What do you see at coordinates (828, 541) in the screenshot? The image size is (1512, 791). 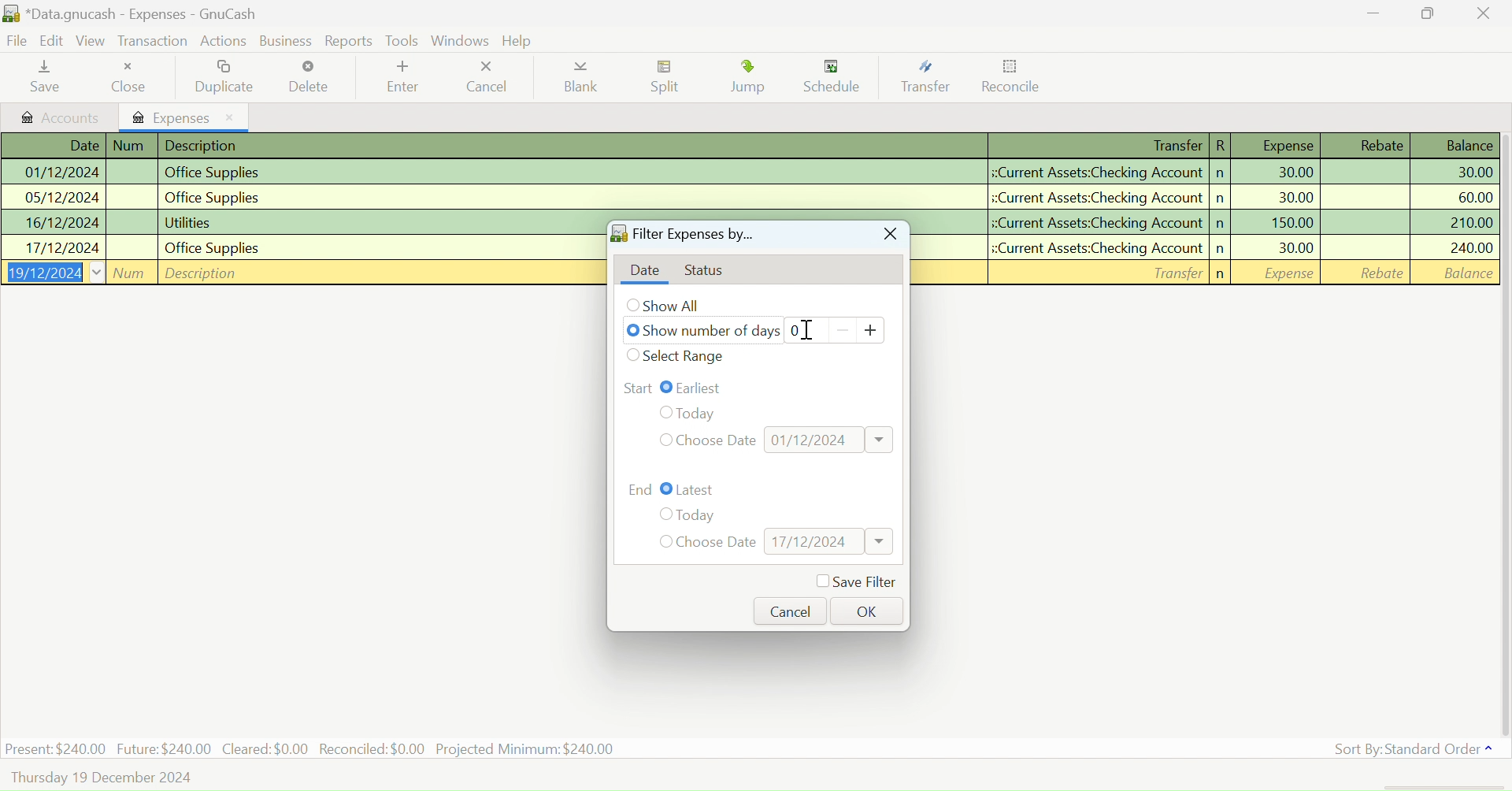 I see `Date Input` at bounding box center [828, 541].